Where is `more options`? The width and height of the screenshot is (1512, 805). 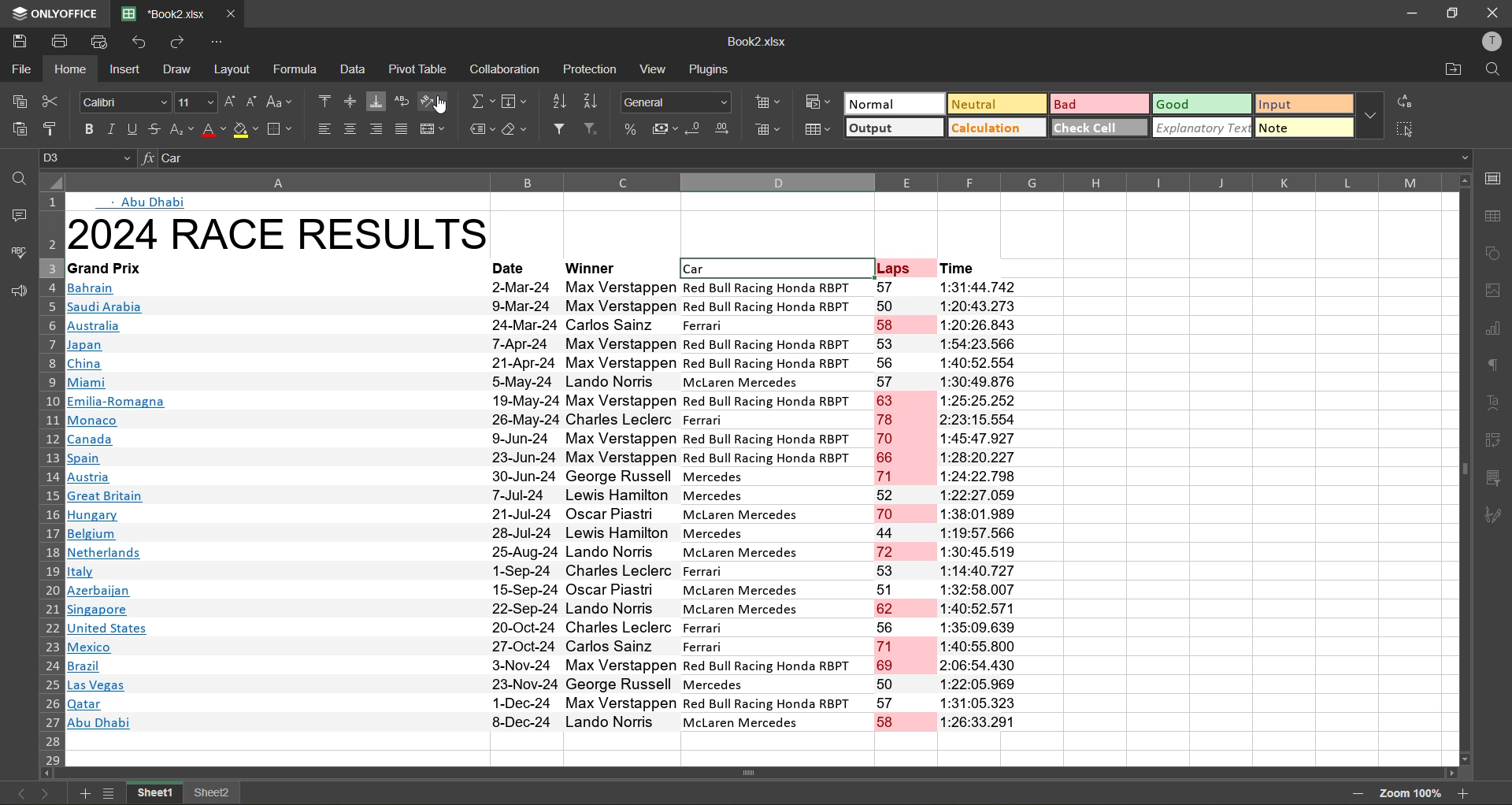
more options is located at coordinates (1373, 114).